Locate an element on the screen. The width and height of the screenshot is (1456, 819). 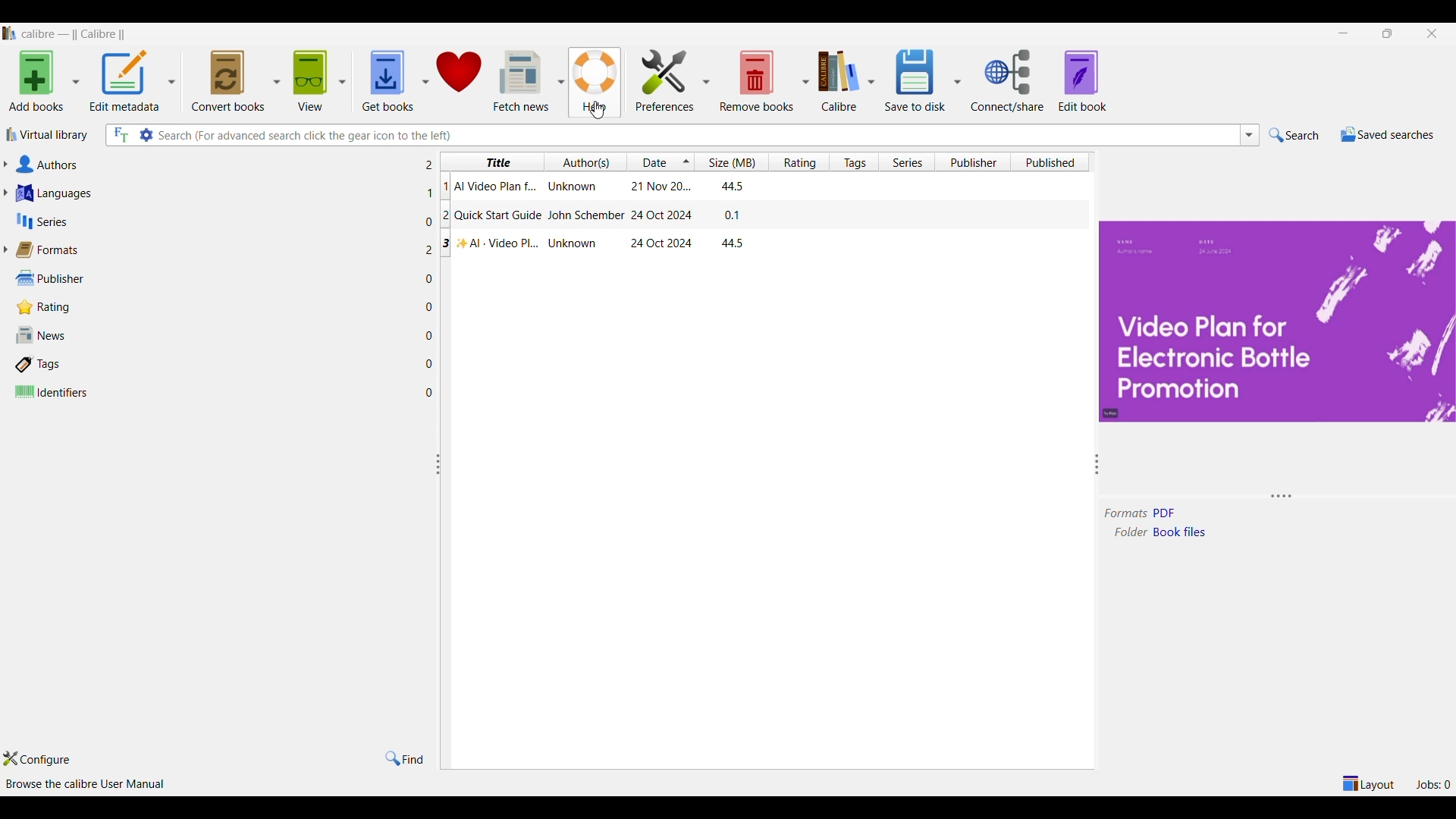
Change width of panels attached to each is located at coordinates (1094, 463).